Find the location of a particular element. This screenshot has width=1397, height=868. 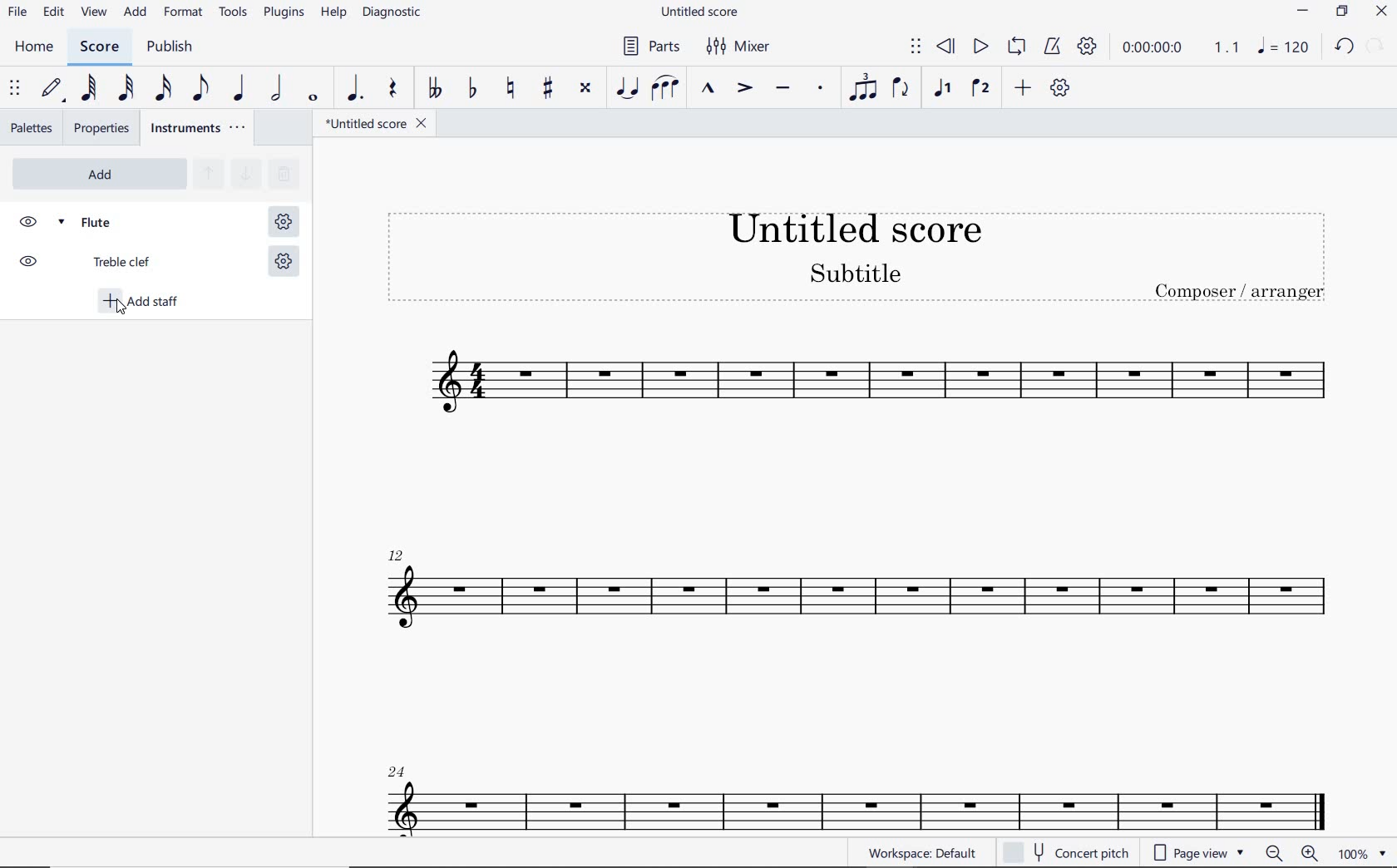

FORMAT is located at coordinates (184, 12).